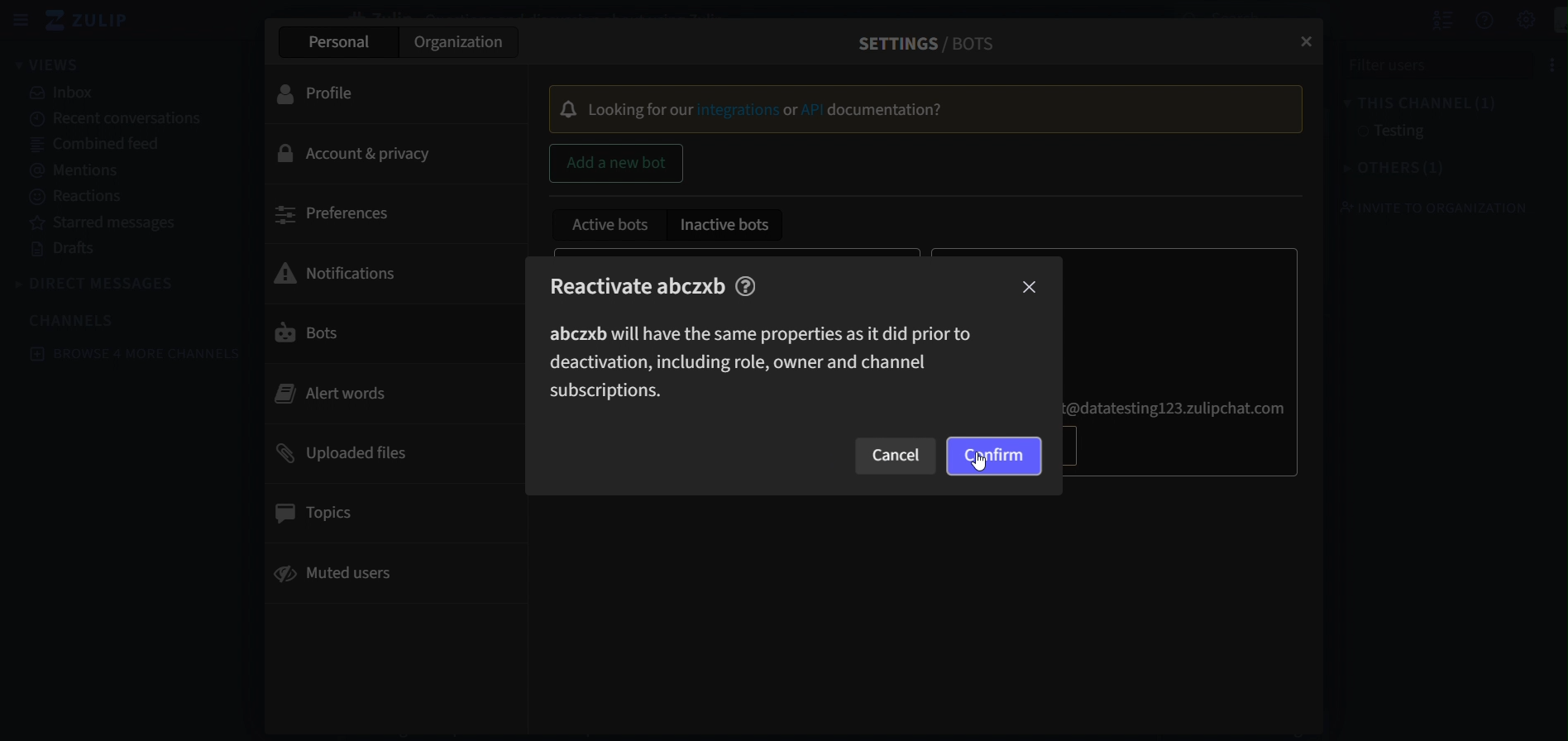 This screenshot has height=741, width=1568. What do you see at coordinates (997, 456) in the screenshot?
I see `confirm` at bounding box center [997, 456].